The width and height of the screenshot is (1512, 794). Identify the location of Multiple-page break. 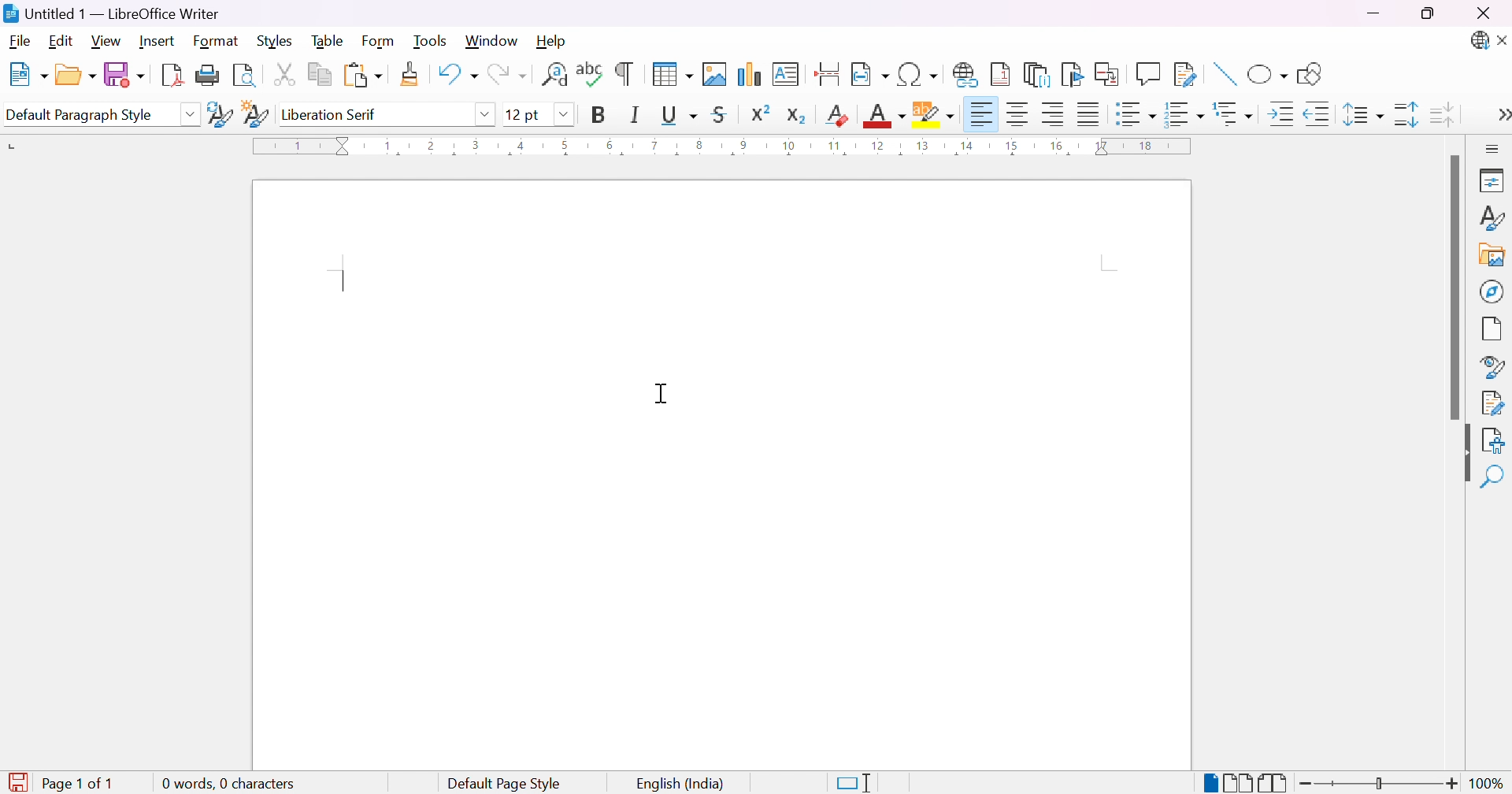
(1237, 785).